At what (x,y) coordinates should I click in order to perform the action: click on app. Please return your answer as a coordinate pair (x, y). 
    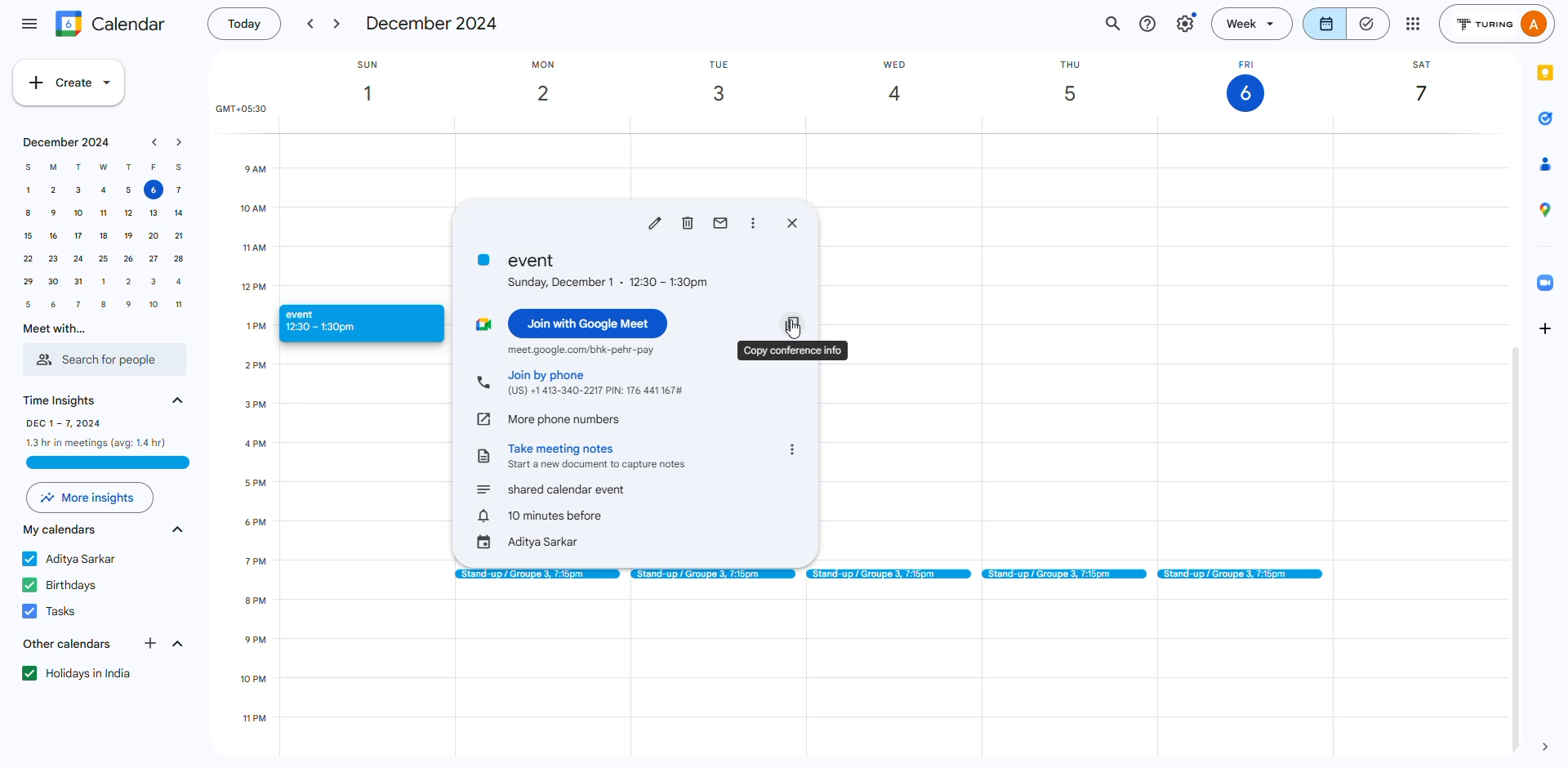
    Looking at the image, I should click on (1547, 279).